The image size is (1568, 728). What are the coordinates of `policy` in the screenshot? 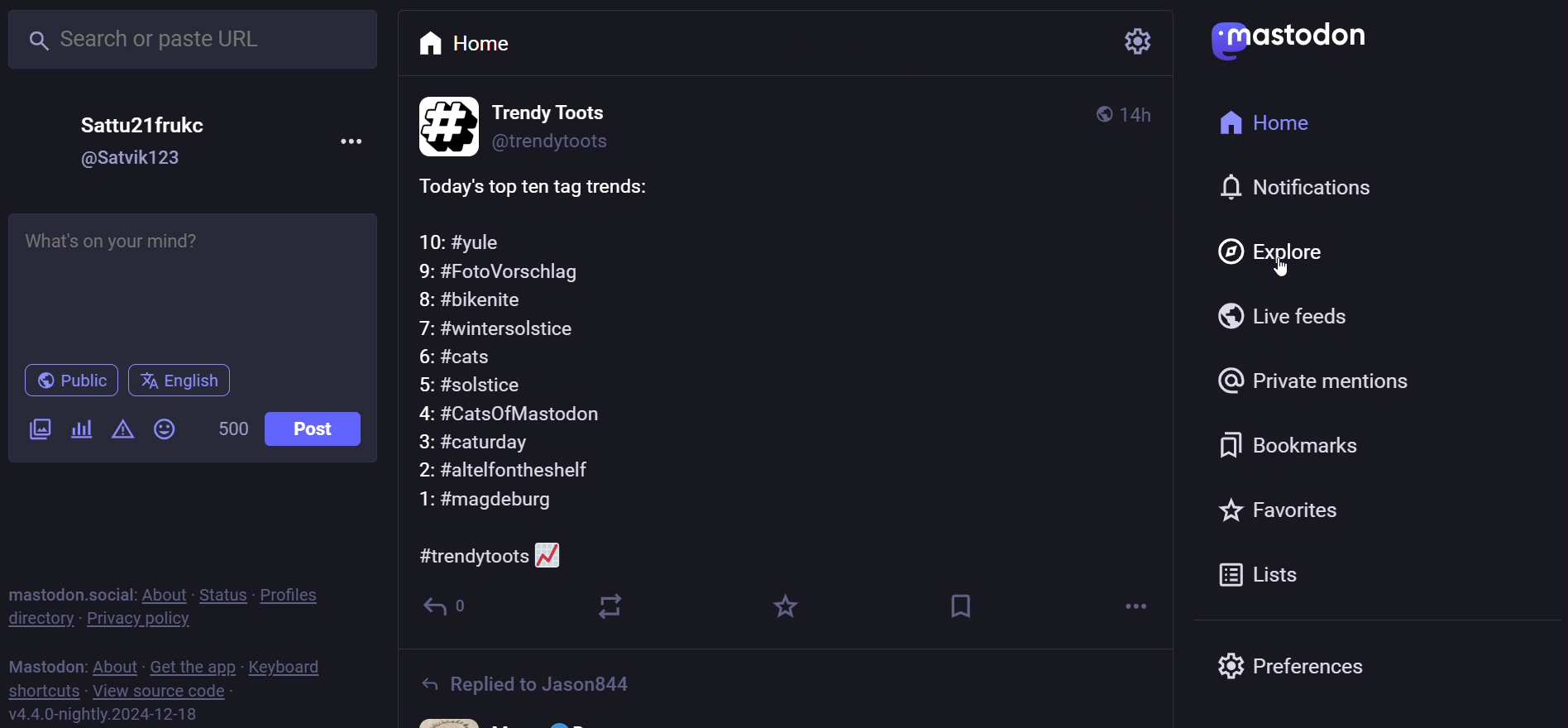 It's located at (296, 596).